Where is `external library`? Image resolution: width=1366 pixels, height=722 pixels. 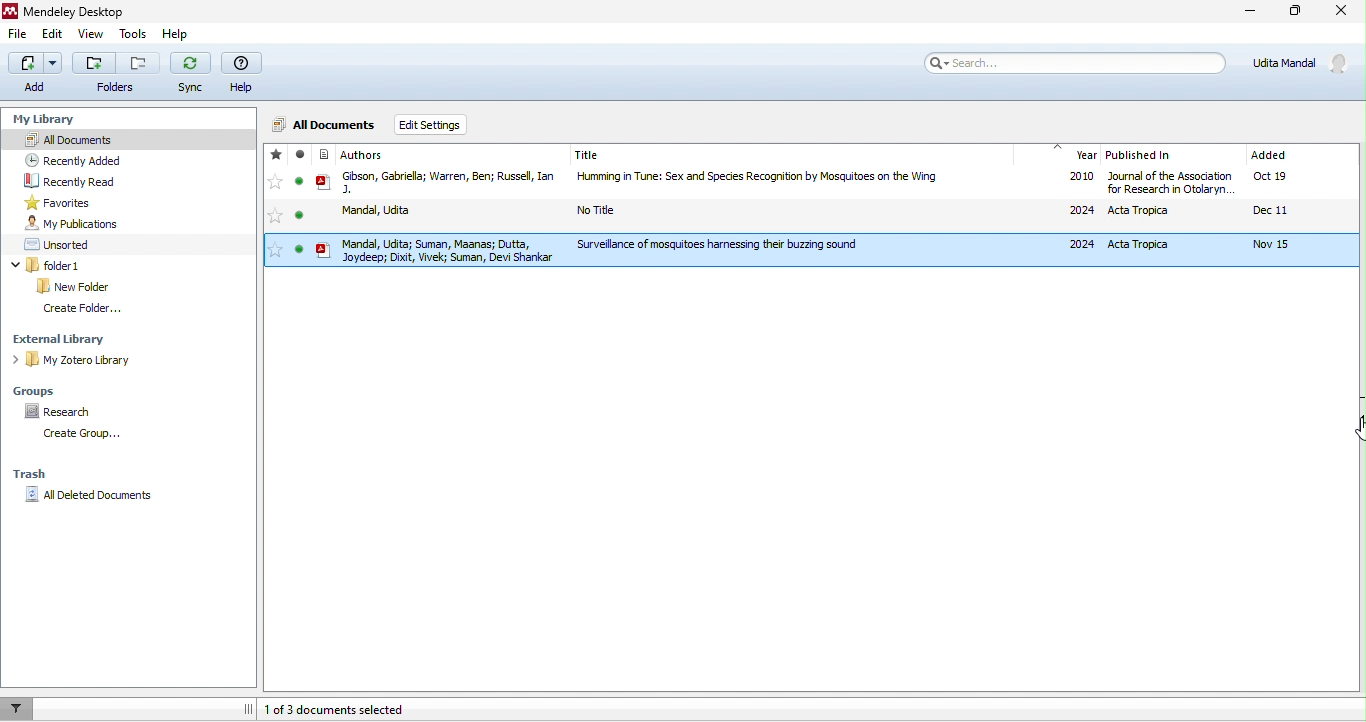 external library is located at coordinates (67, 341).